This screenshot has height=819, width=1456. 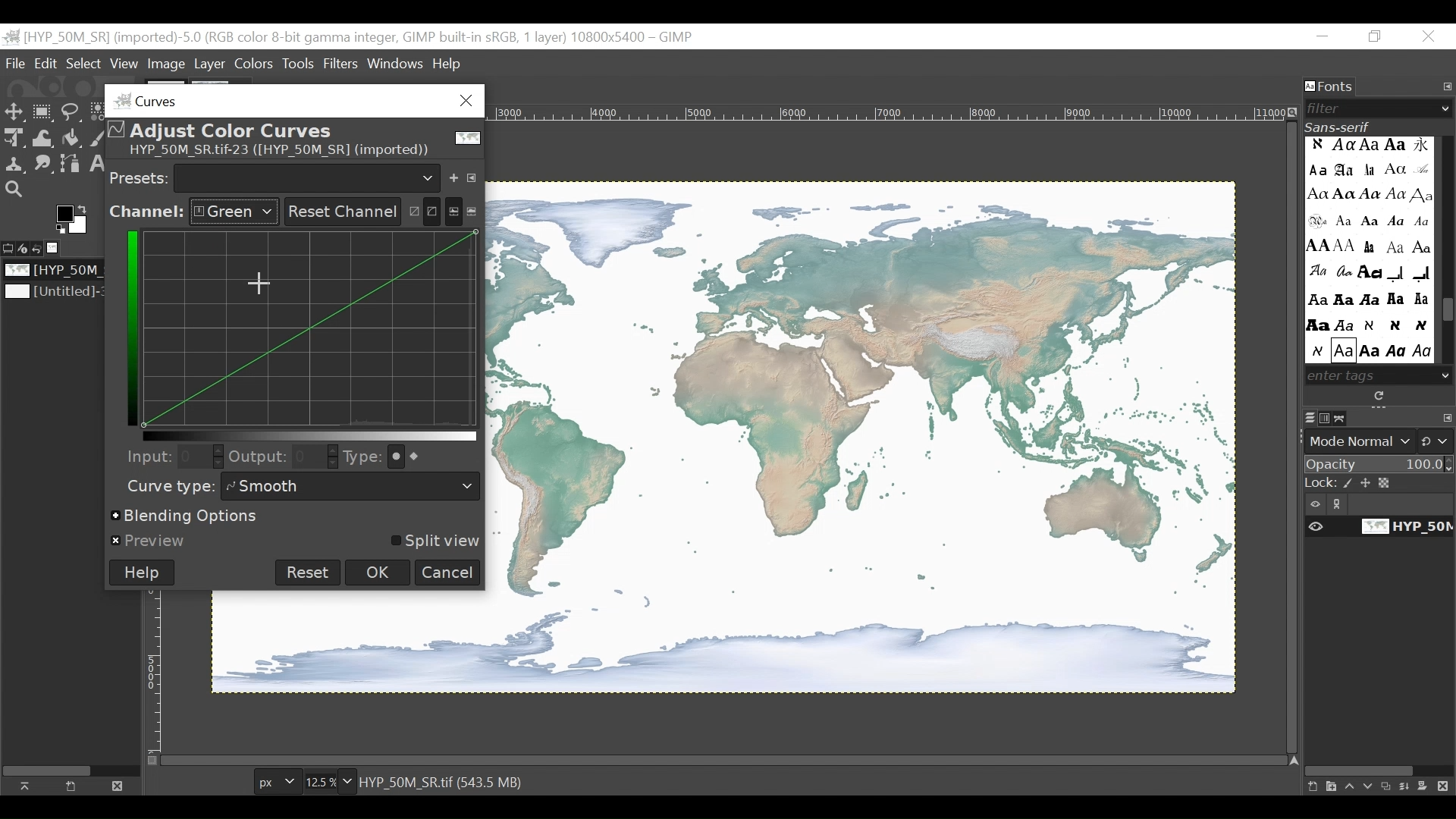 What do you see at coordinates (1380, 484) in the screenshot?
I see `Lock` at bounding box center [1380, 484].